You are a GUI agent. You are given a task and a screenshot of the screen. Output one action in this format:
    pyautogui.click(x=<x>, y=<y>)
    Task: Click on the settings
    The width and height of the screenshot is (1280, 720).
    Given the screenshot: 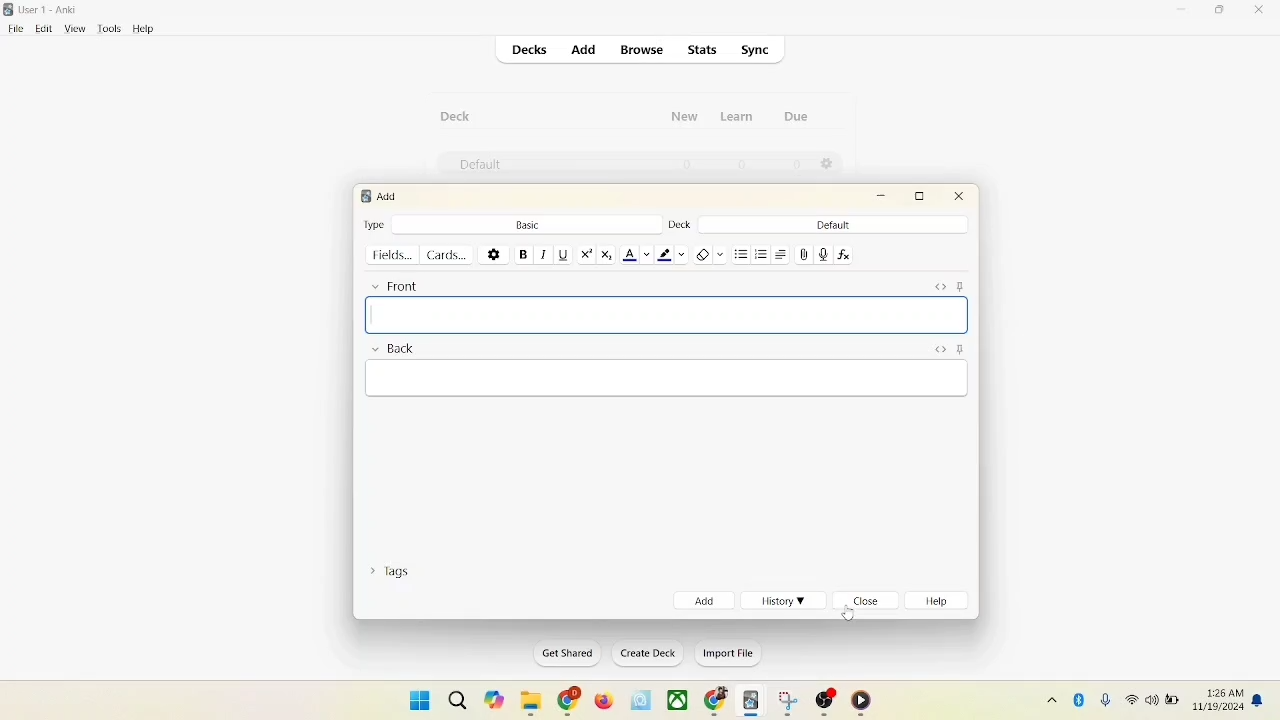 What is the action you would take?
    pyautogui.click(x=494, y=253)
    